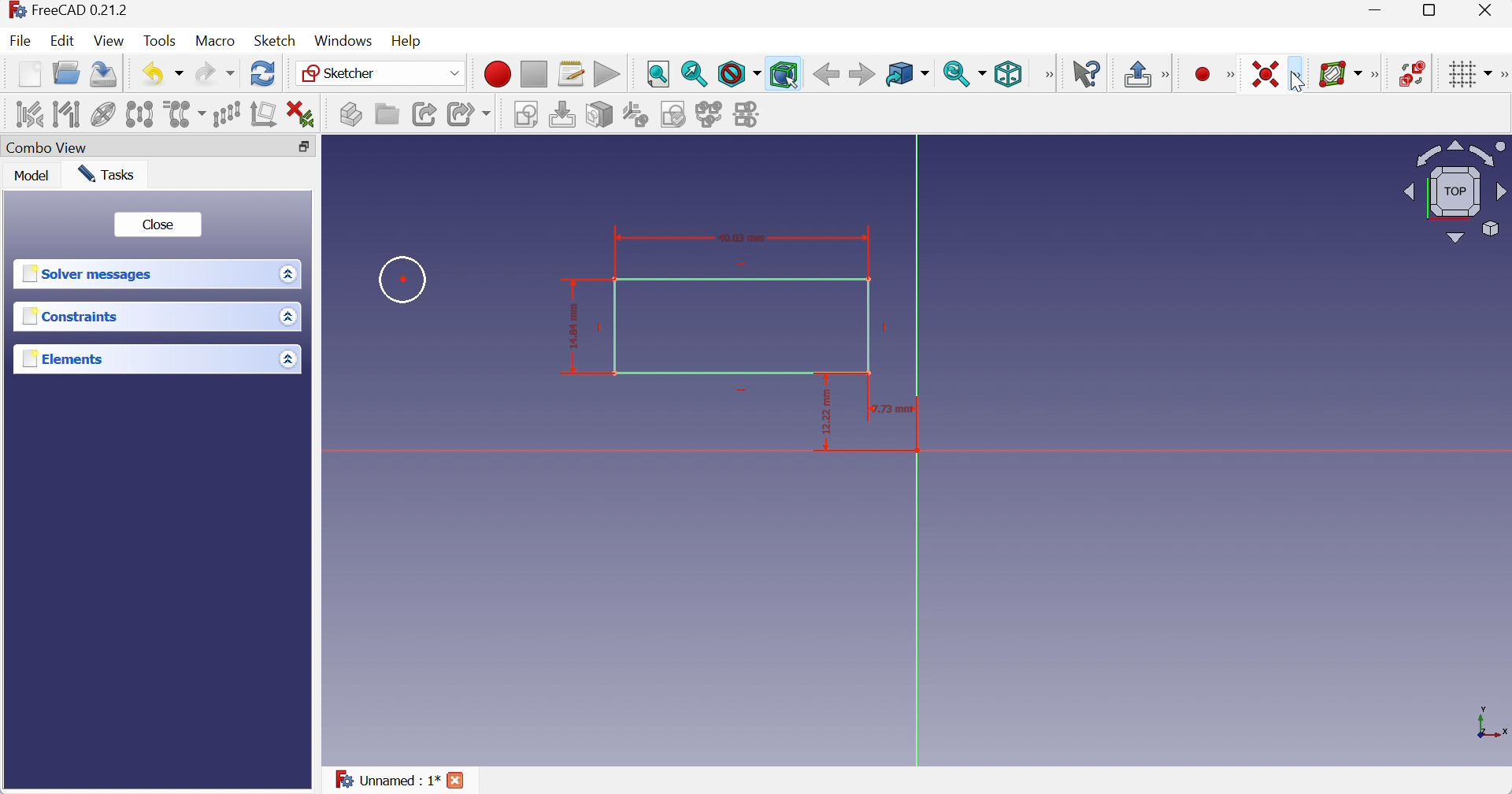  I want to click on Stop macro recording, so click(532, 74).